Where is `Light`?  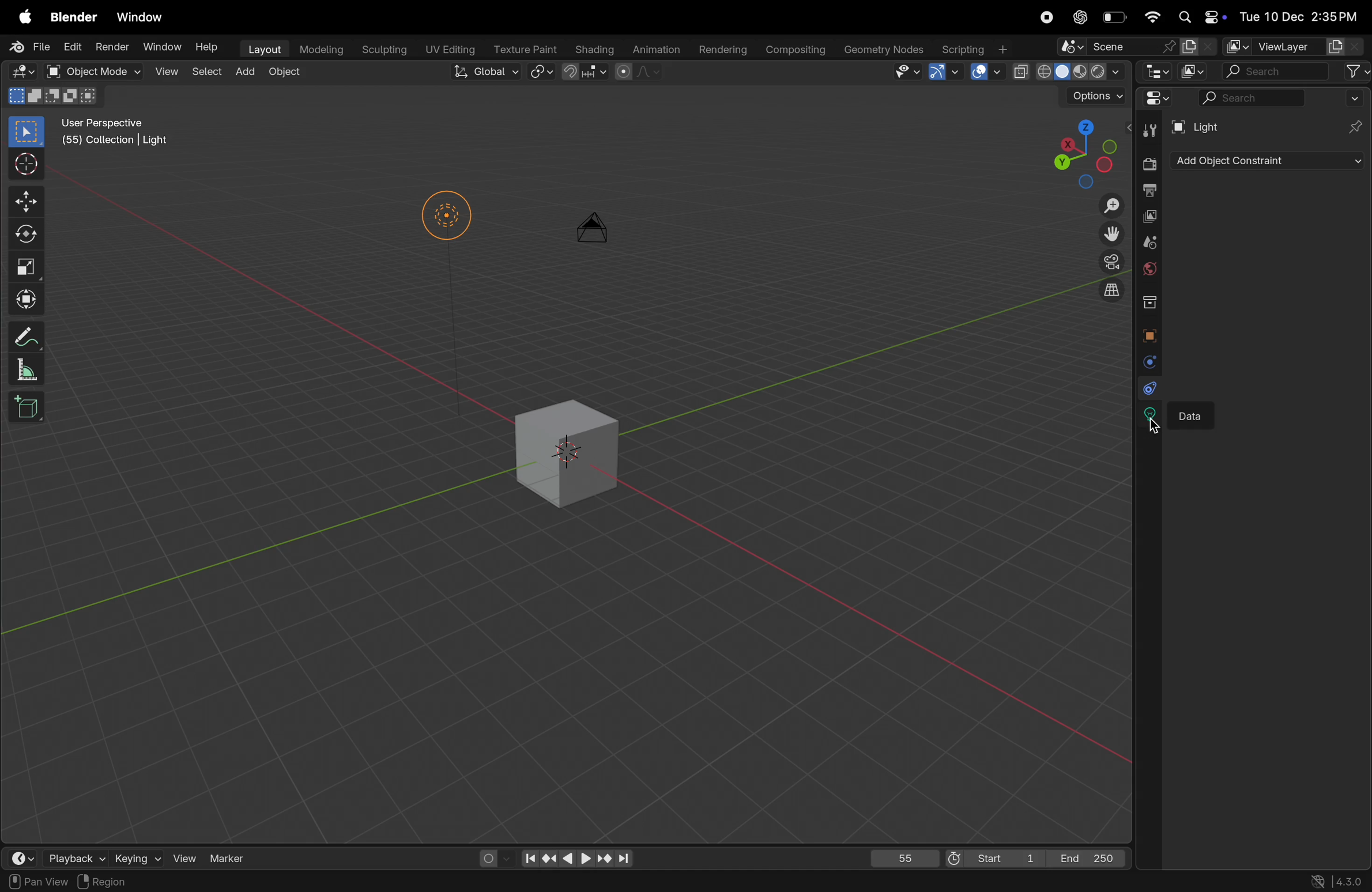
Light is located at coordinates (1203, 126).